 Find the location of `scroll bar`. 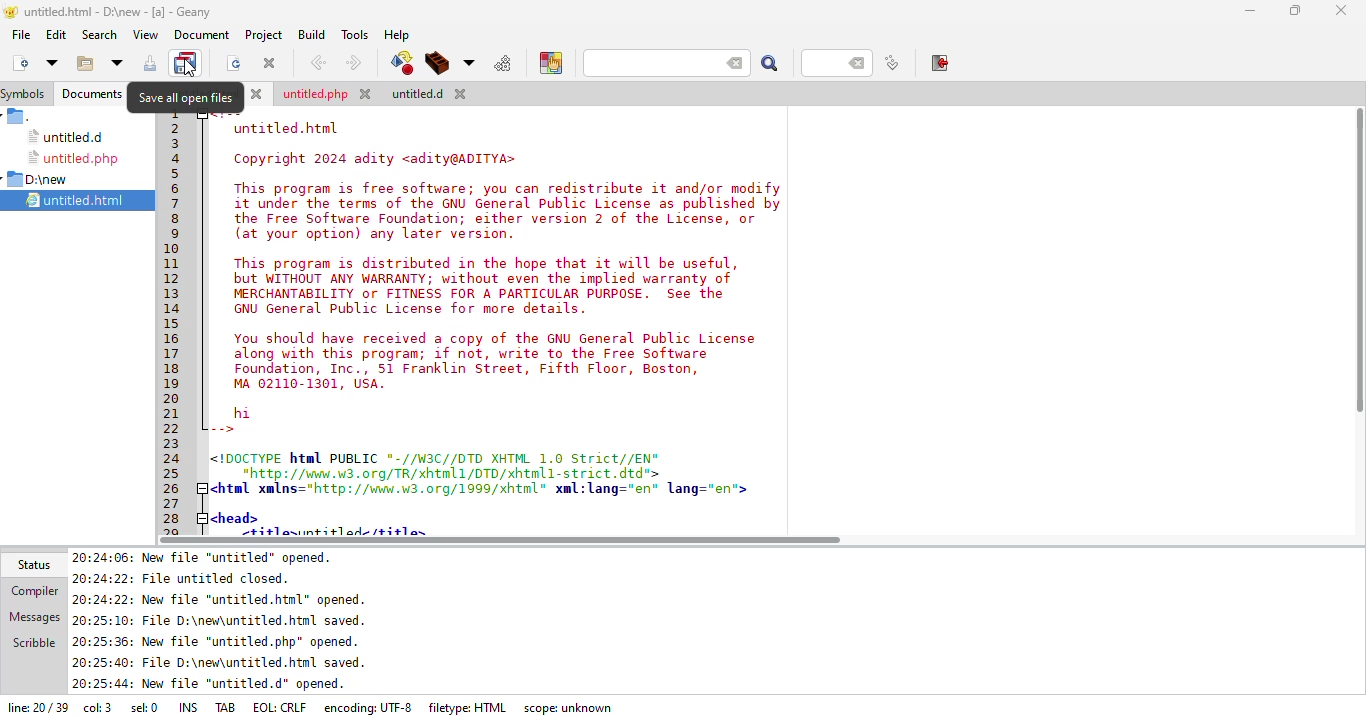

scroll bar is located at coordinates (496, 540).